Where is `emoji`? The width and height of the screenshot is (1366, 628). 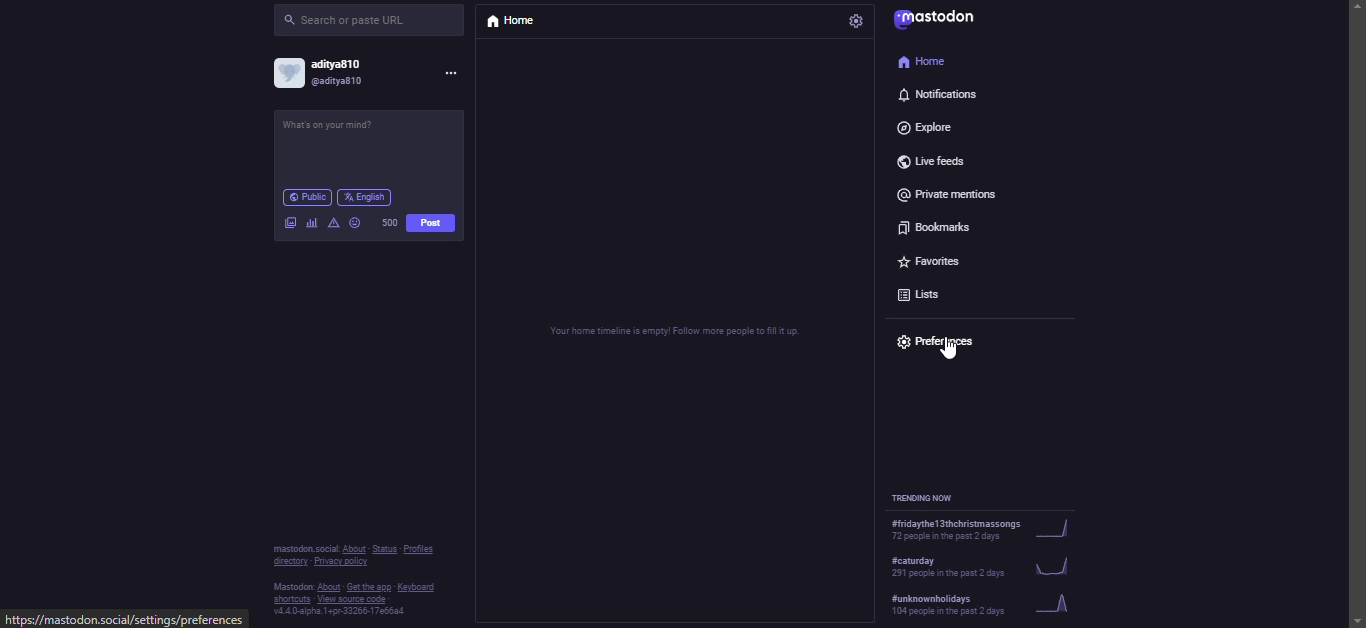 emoji is located at coordinates (357, 223).